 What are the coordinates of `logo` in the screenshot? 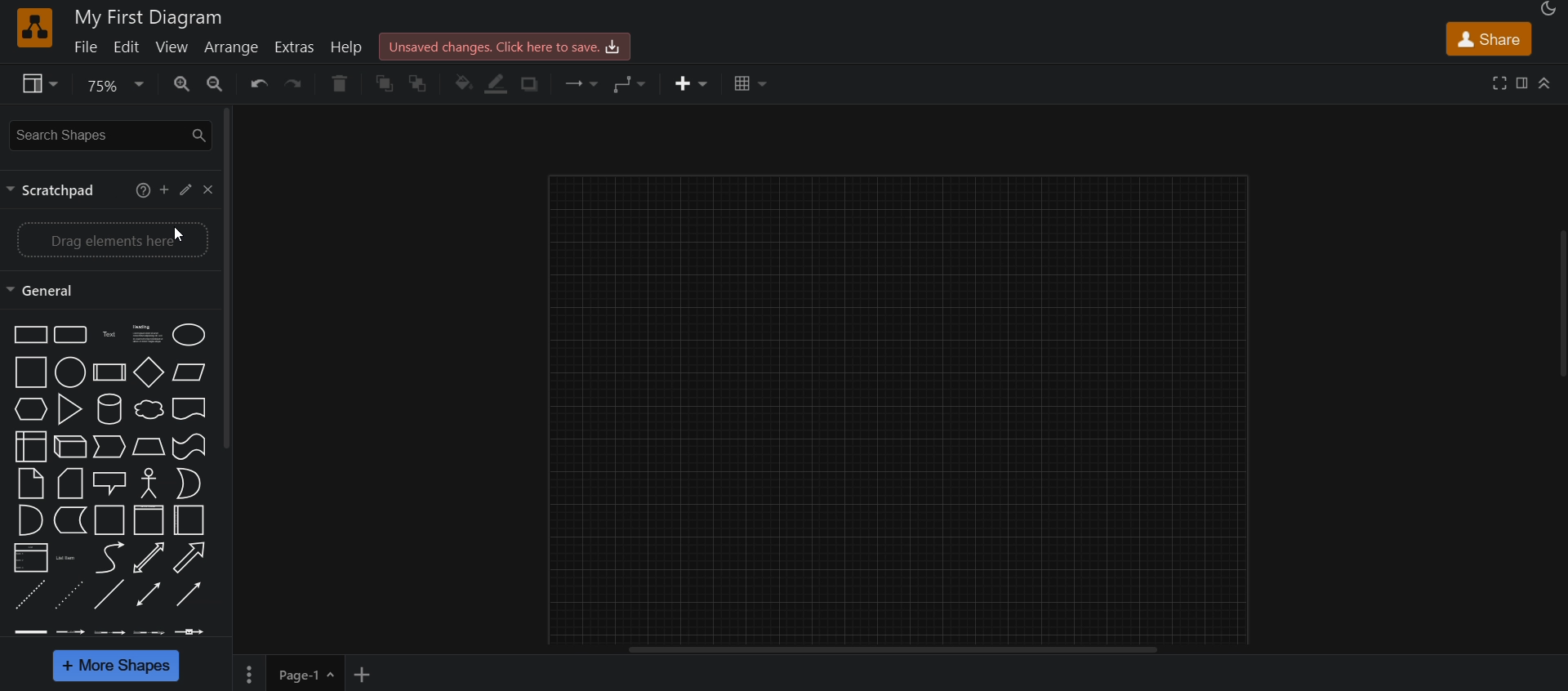 It's located at (33, 29).